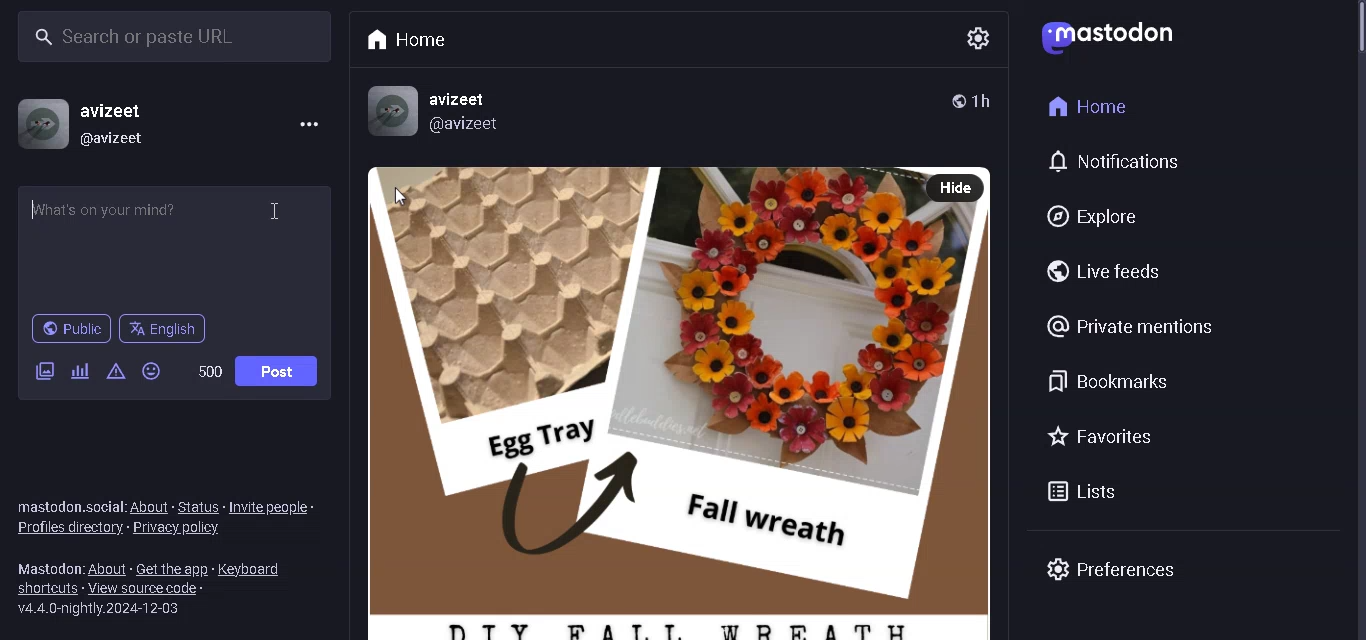 This screenshot has width=1366, height=640. What do you see at coordinates (199, 506) in the screenshot?
I see `STATUS` at bounding box center [199, 506].